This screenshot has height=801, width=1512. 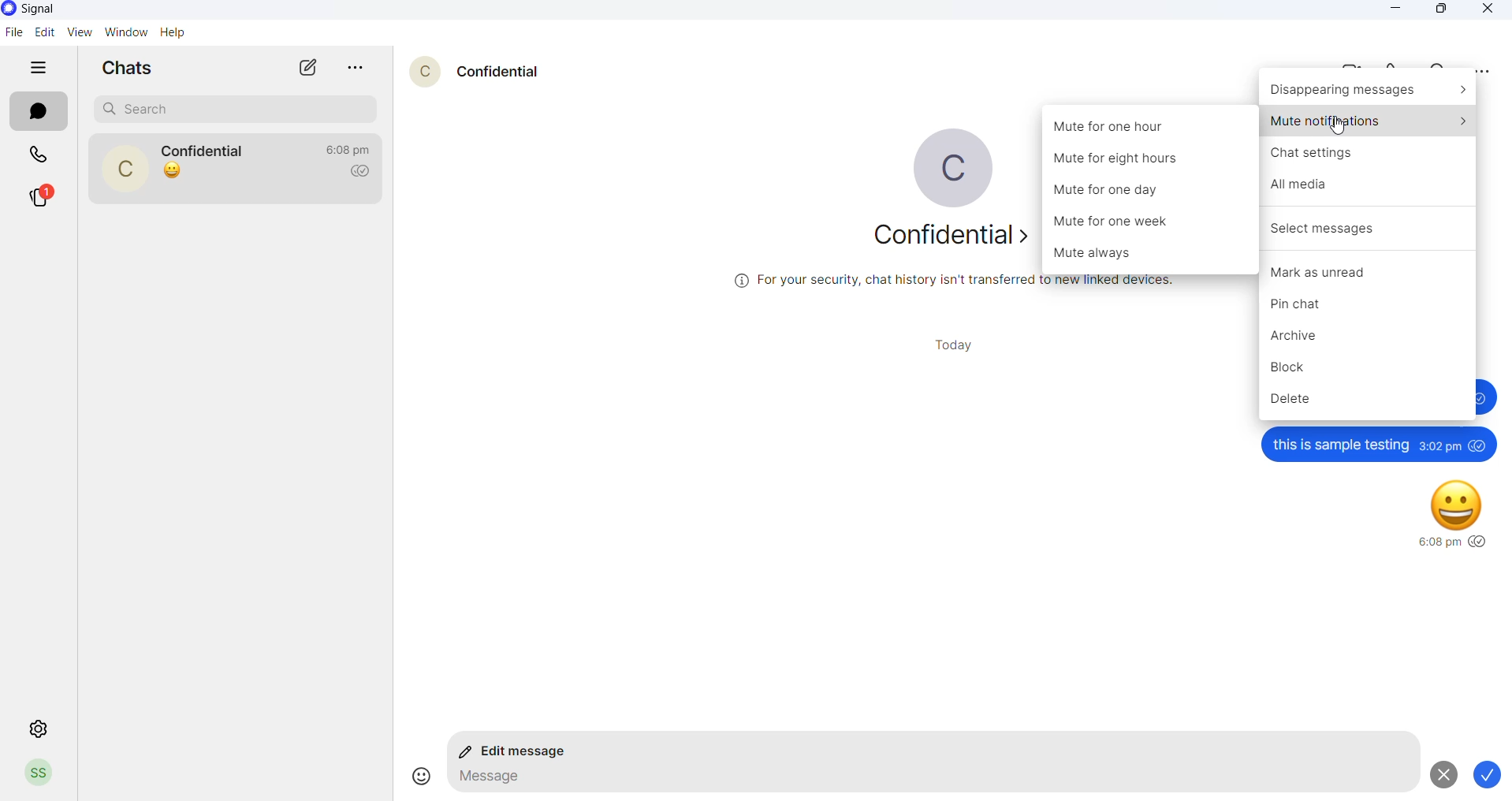 I want to click on stories, so click(x=41, y=195).